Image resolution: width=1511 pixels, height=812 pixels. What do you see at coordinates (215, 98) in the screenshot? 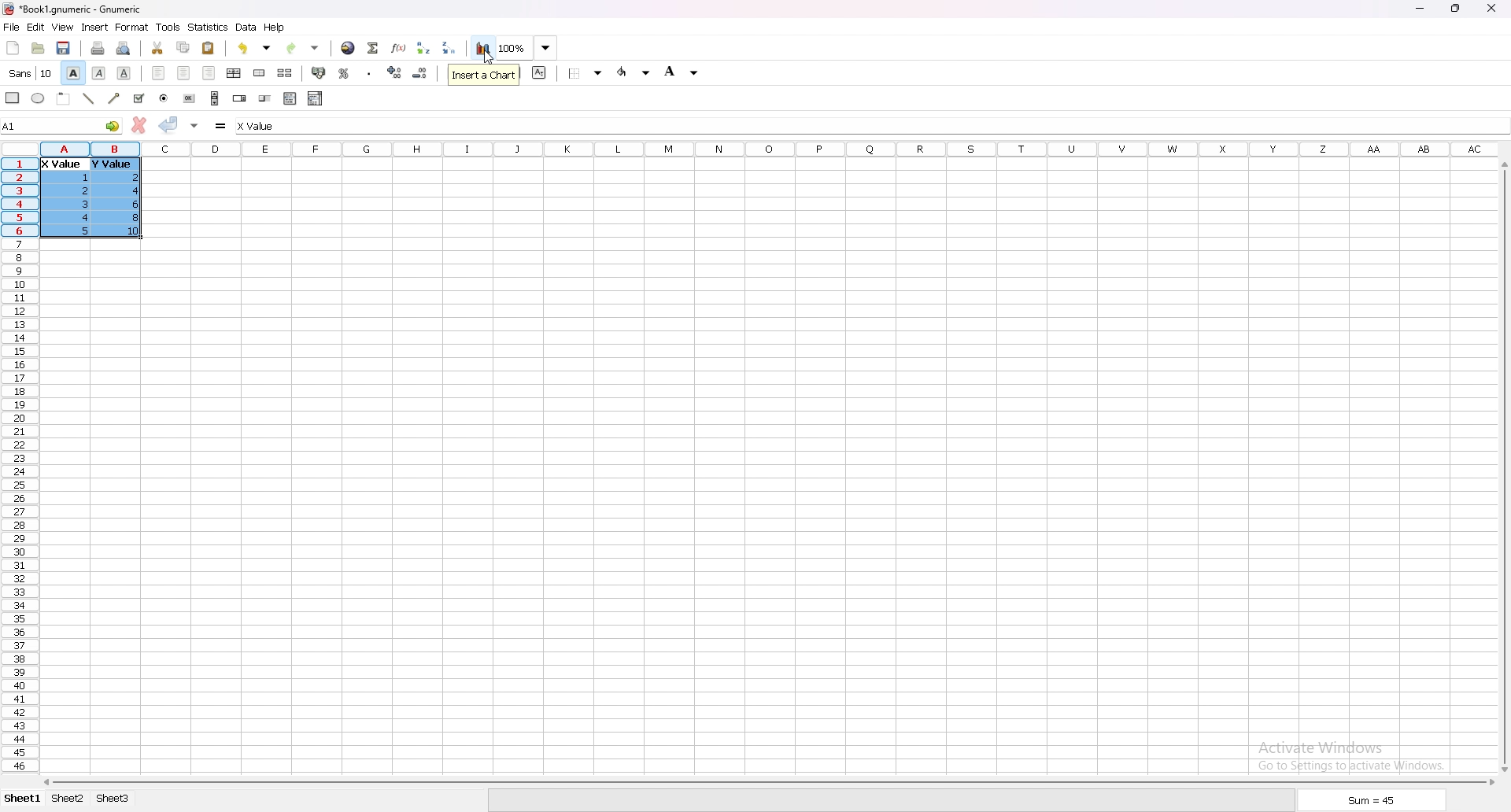
I see `scroll bar` at bounding box center [215, 98].